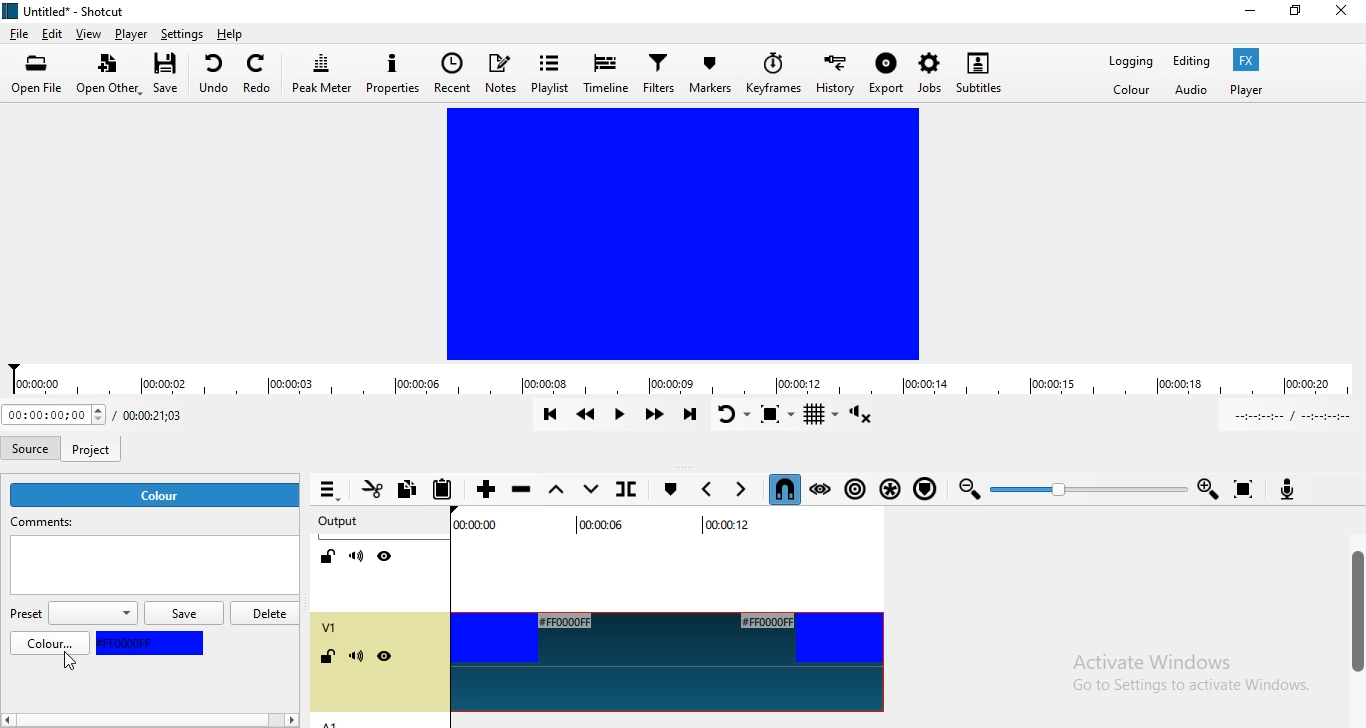 The height and width of the screenshot is (728, 1366). Describe the element at coordinates (500, 72) in the screenshot. I see `Notes` at that location.